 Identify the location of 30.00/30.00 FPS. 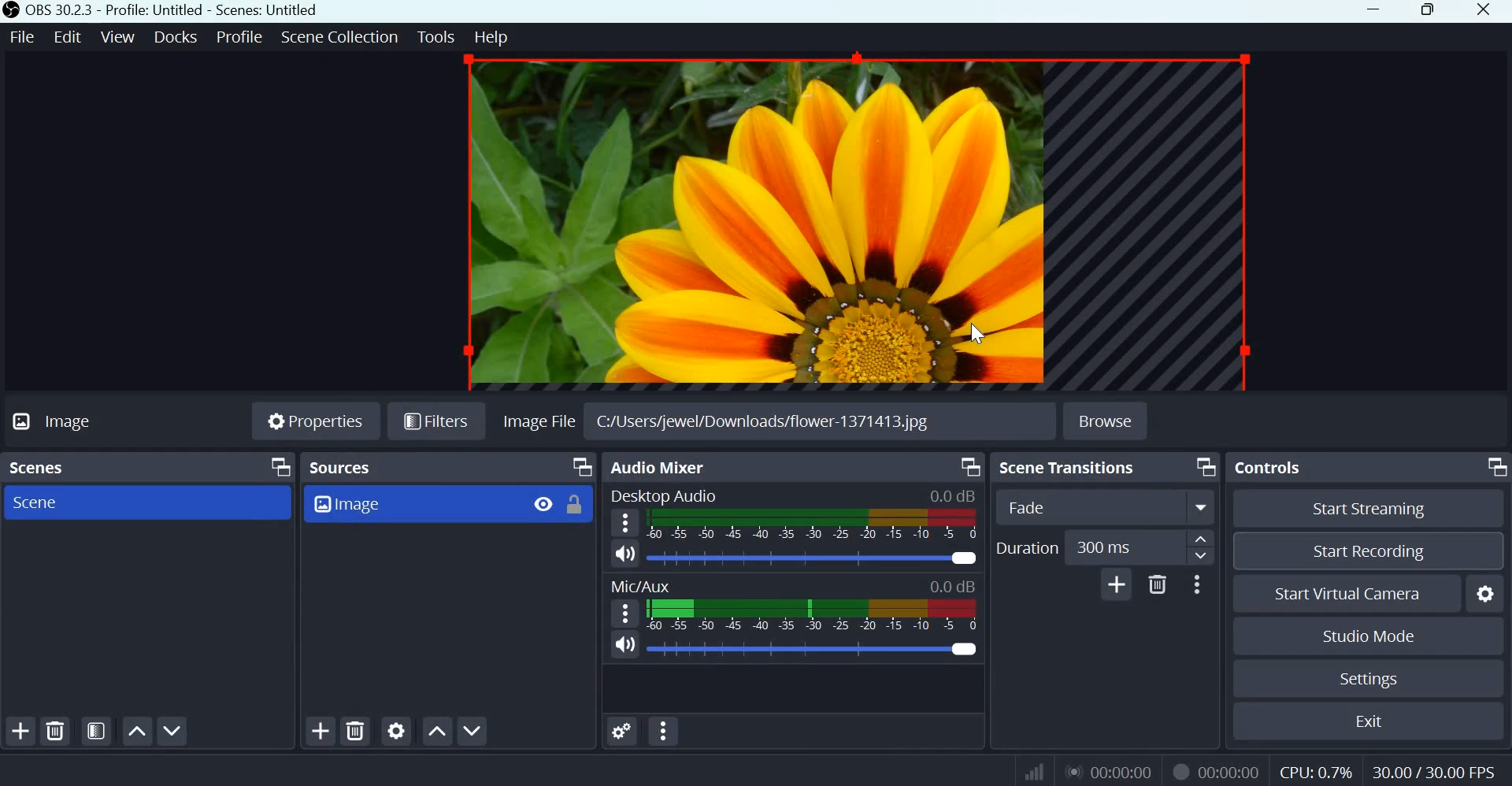
(1439, 769).